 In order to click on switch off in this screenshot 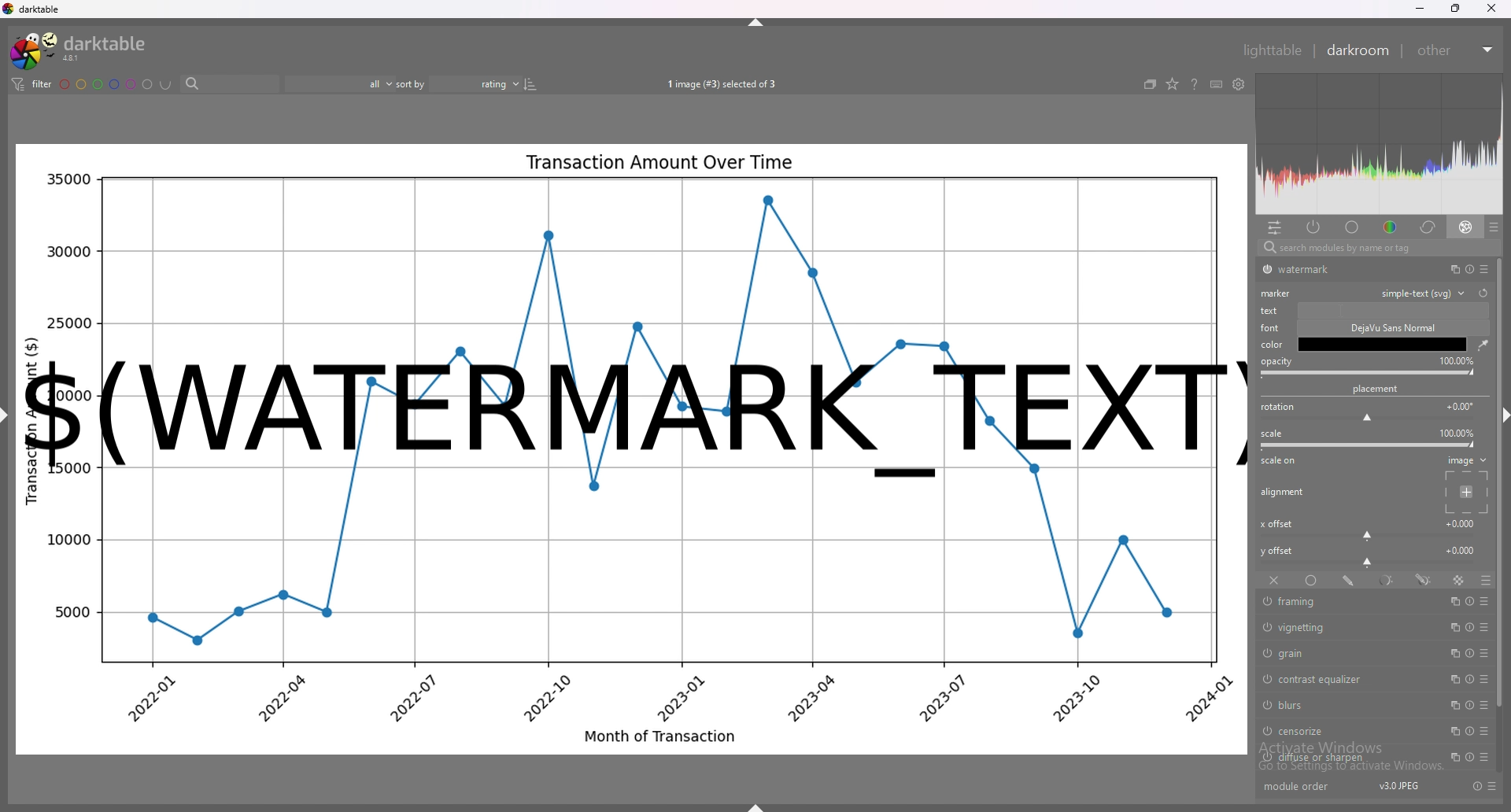, I will do `click(1266, 603)`.